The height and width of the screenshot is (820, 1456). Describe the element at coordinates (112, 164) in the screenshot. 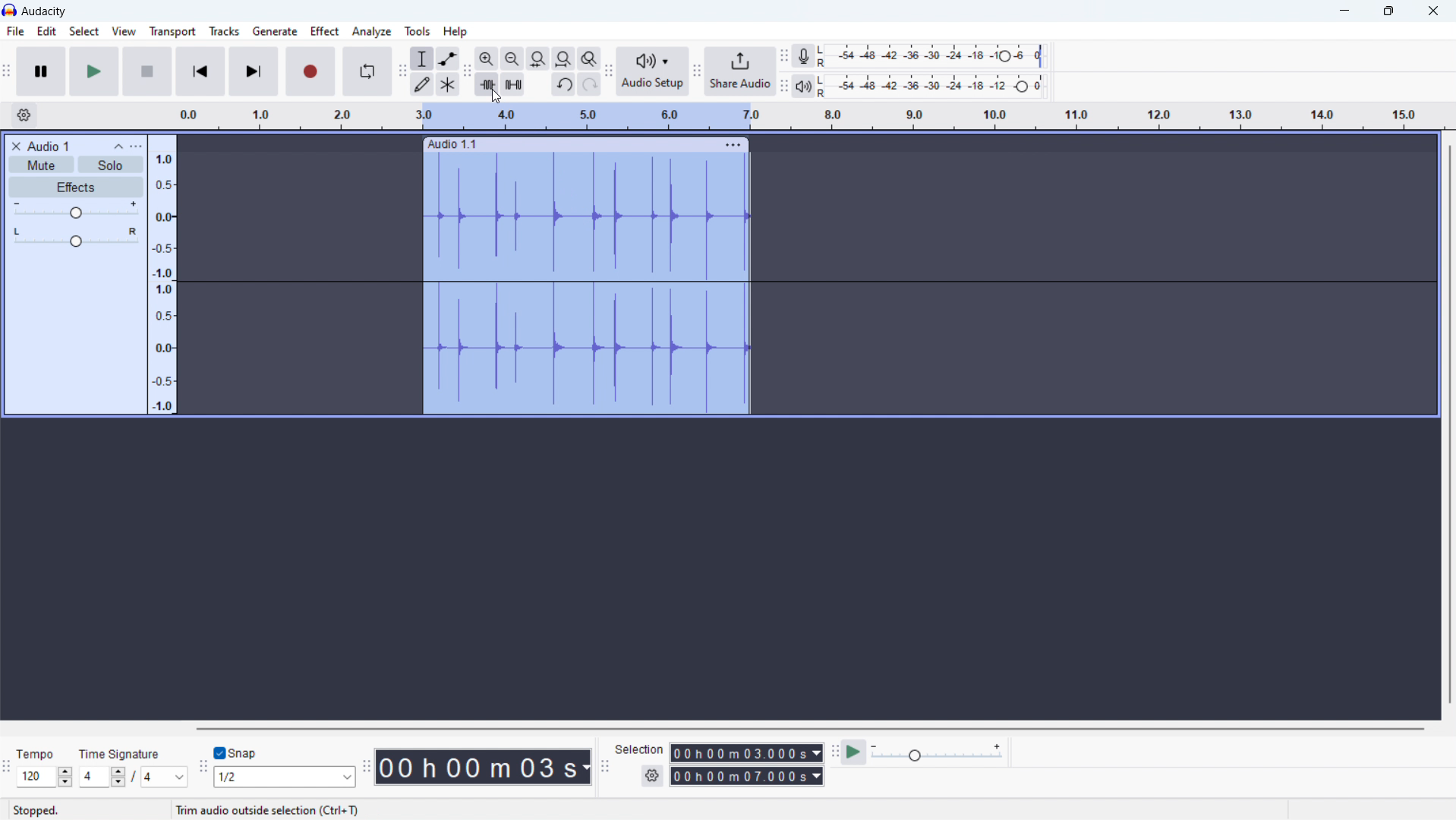

I see `solo` at that location.